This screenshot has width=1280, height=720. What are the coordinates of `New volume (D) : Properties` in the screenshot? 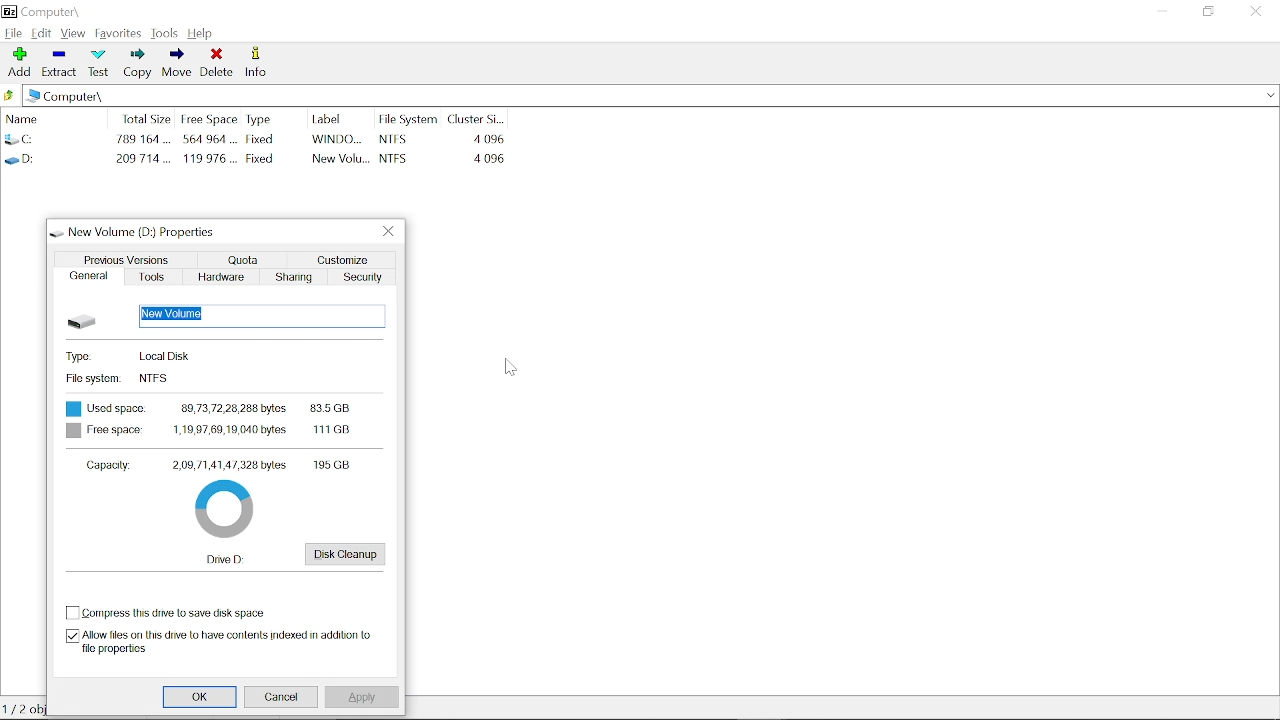 It's located at (137, 231).